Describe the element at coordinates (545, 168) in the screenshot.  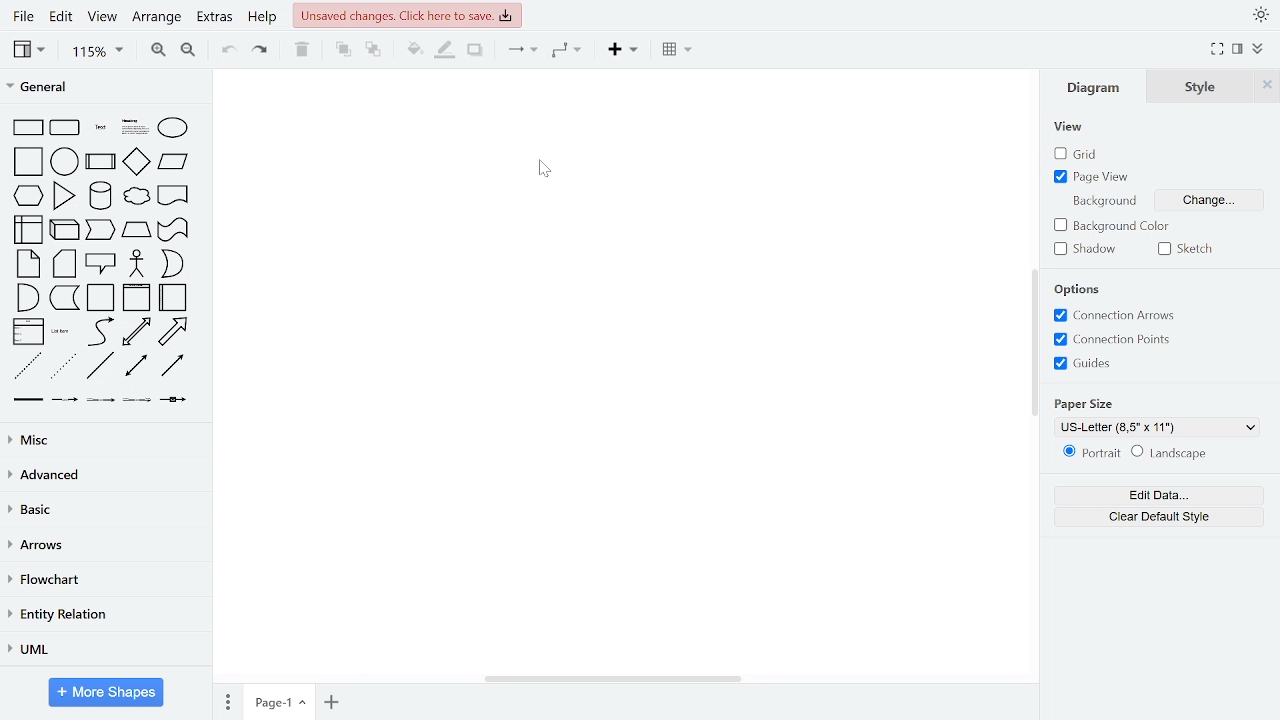
I see `cursor` at that location.